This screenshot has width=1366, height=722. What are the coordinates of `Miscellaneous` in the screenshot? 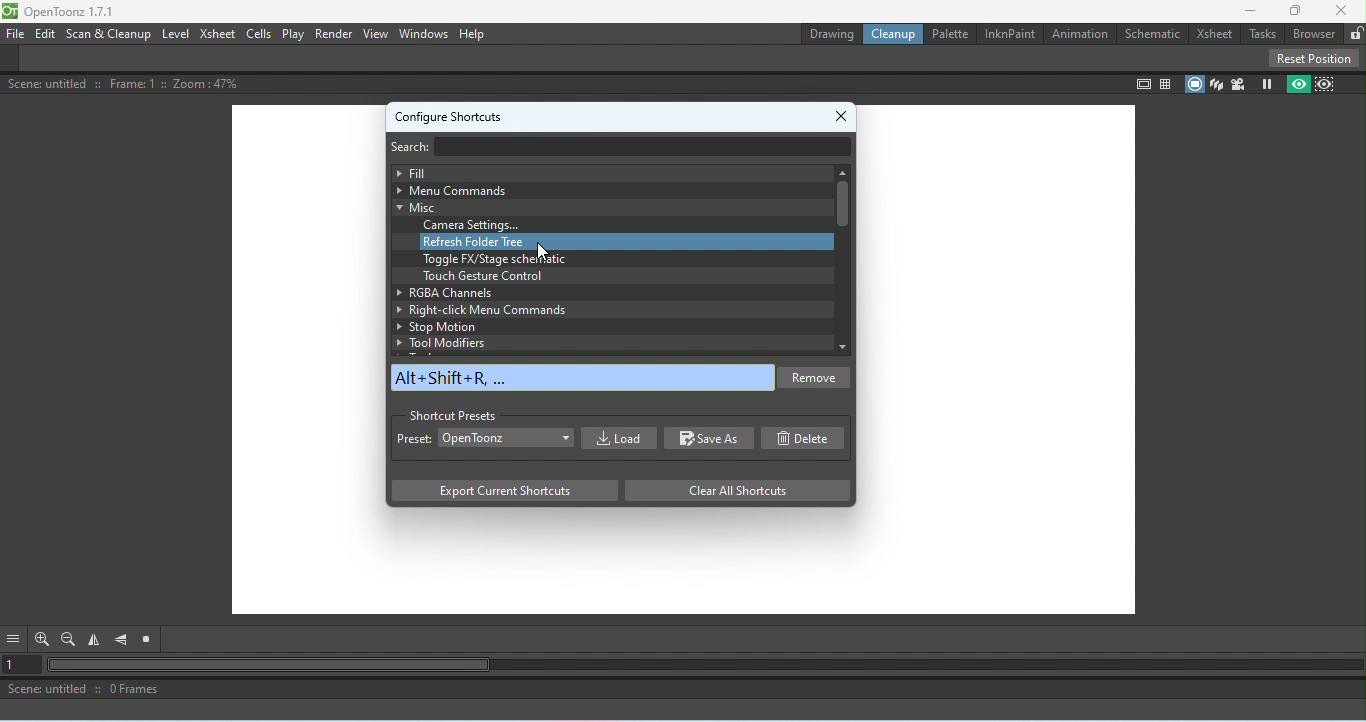 It's located at (603, 207).